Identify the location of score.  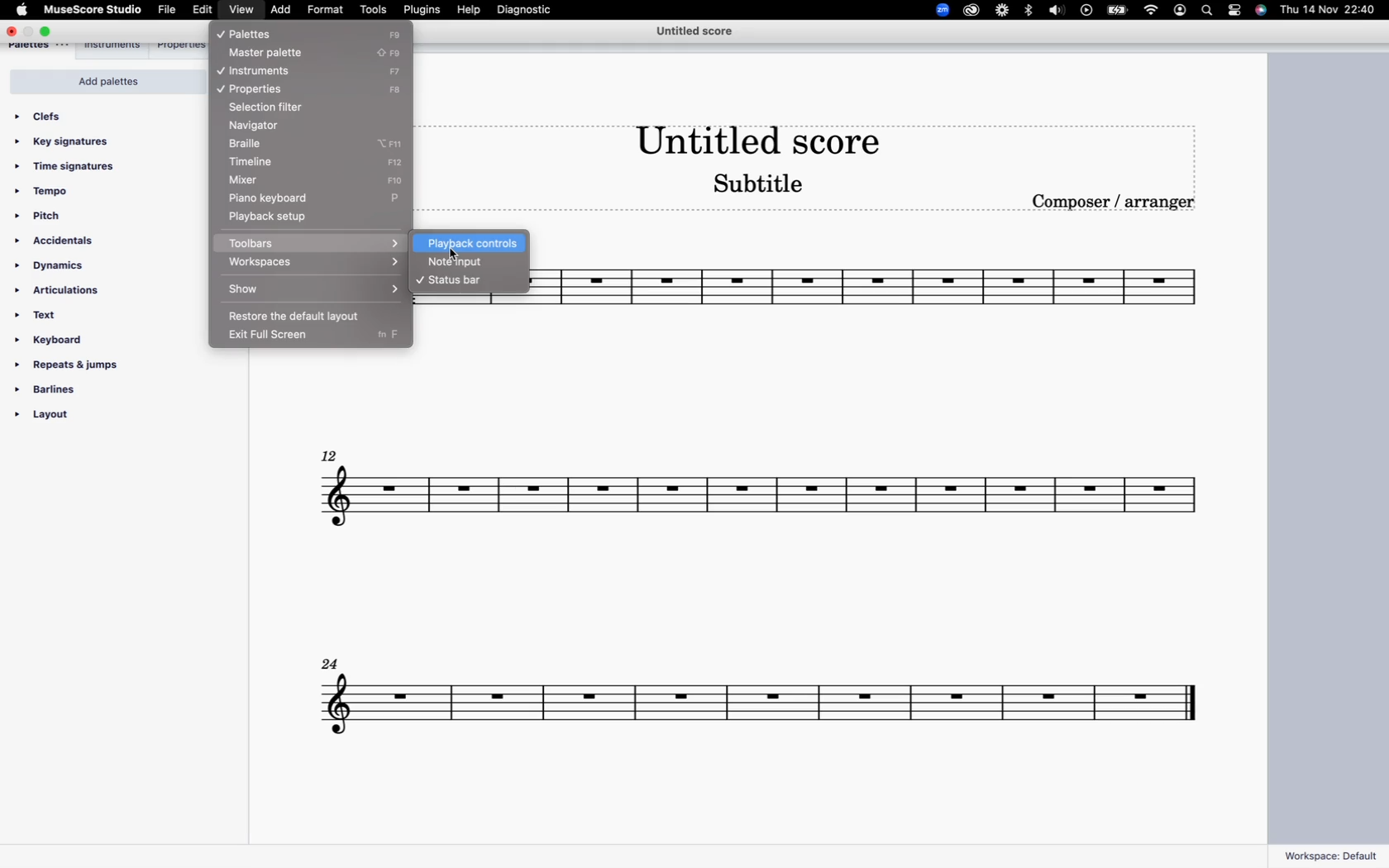
(760, 692).